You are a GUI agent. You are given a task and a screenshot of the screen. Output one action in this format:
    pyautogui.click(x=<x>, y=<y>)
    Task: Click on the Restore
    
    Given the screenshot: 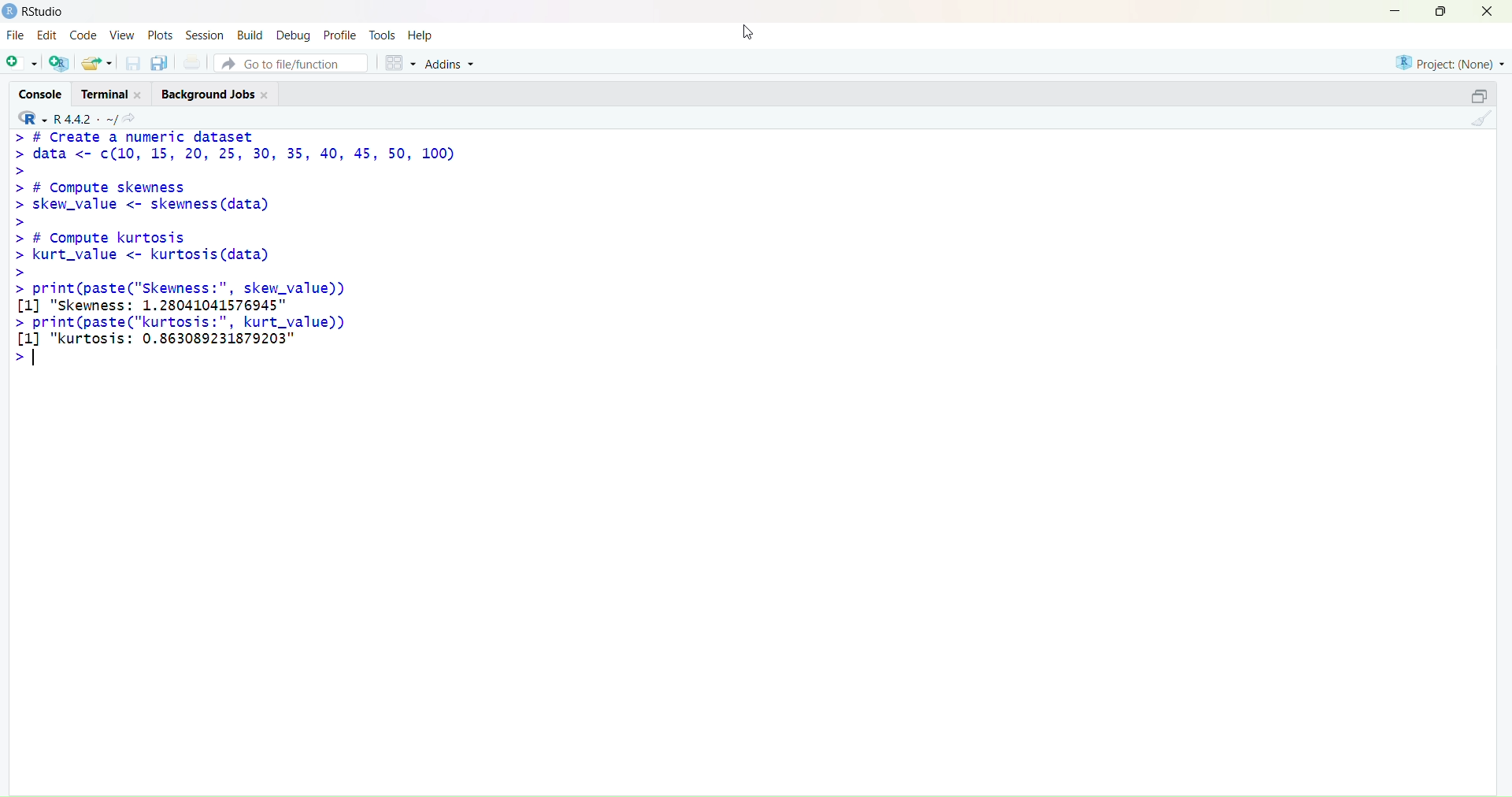 What is the action you would take?
    pyautogui.click(x=1470, y=98)
    